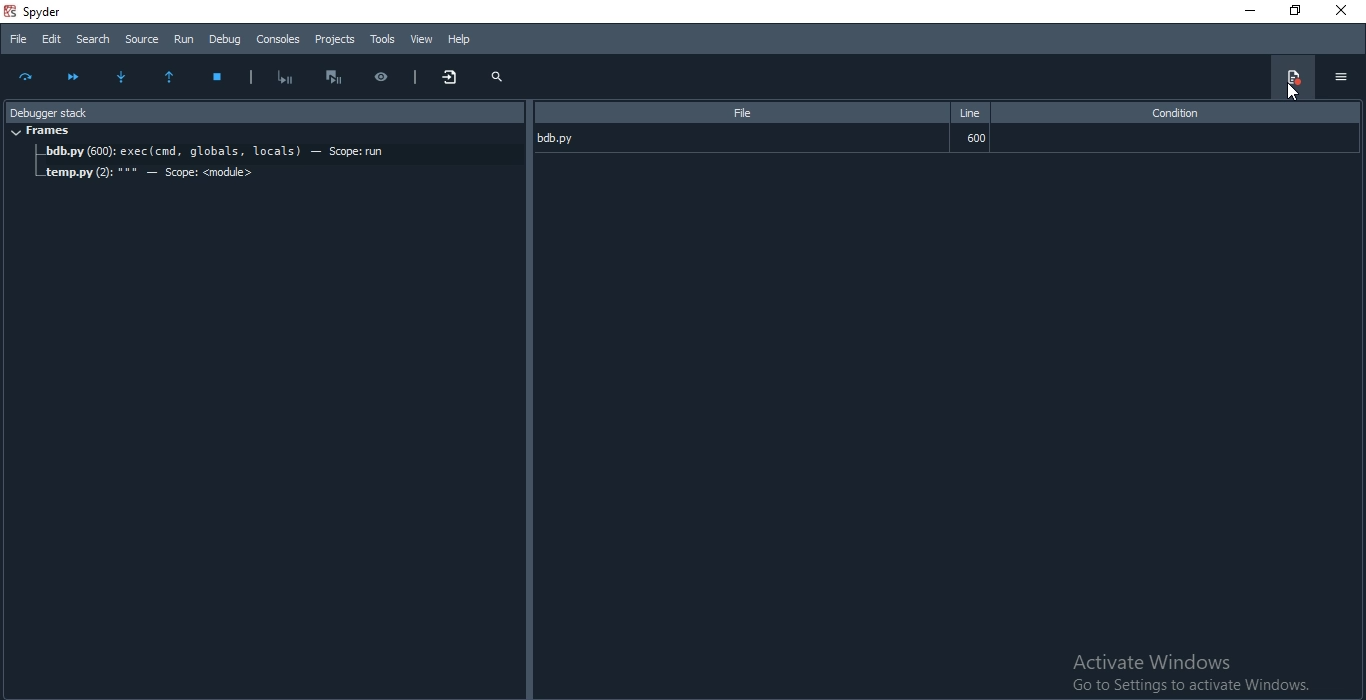  What do you see at coordinates (142, 38) in the screenshot?
I see `Source` at bounding box center [142, 38].